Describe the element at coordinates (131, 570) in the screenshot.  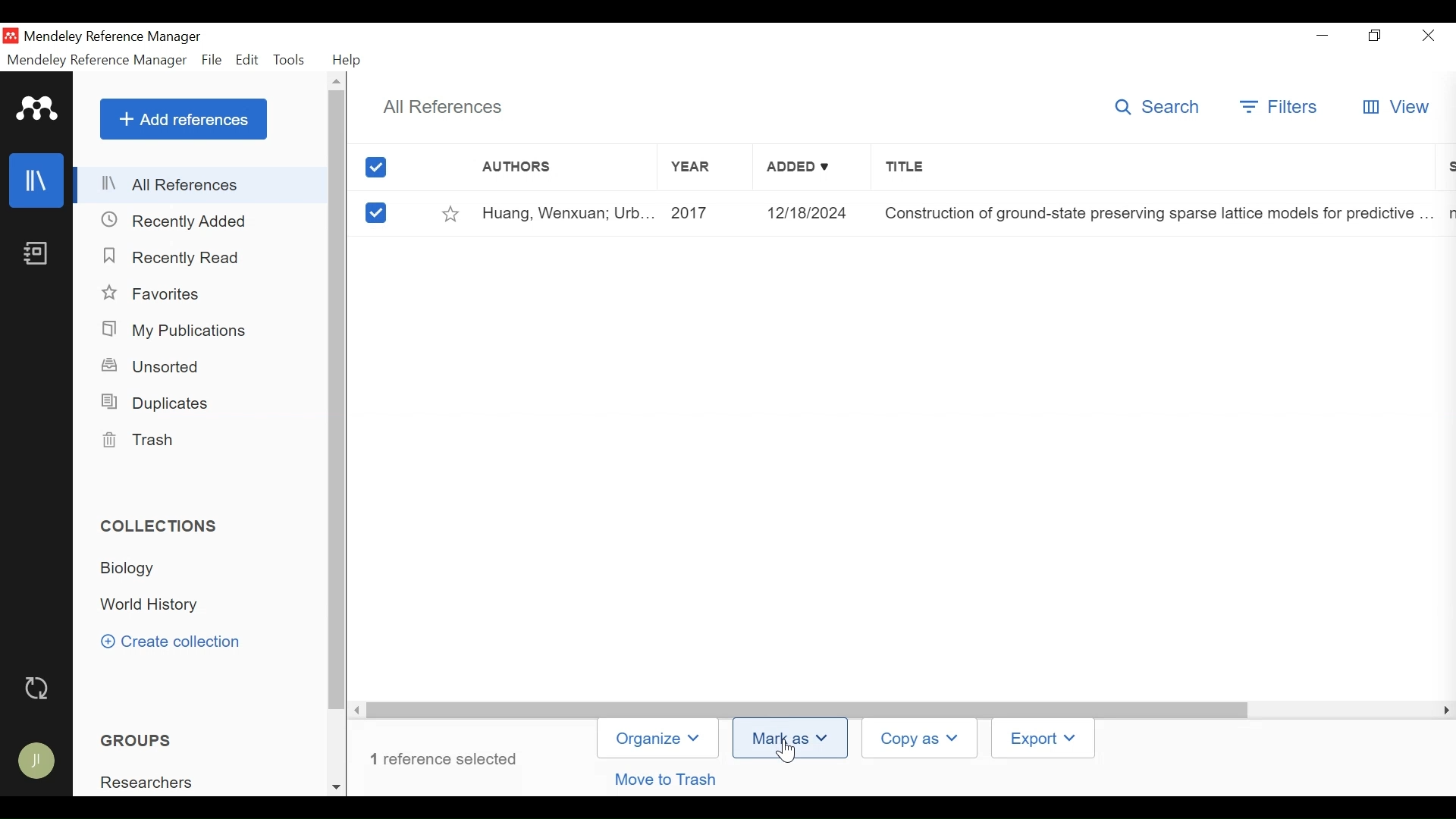
I see `Collection` at that location.